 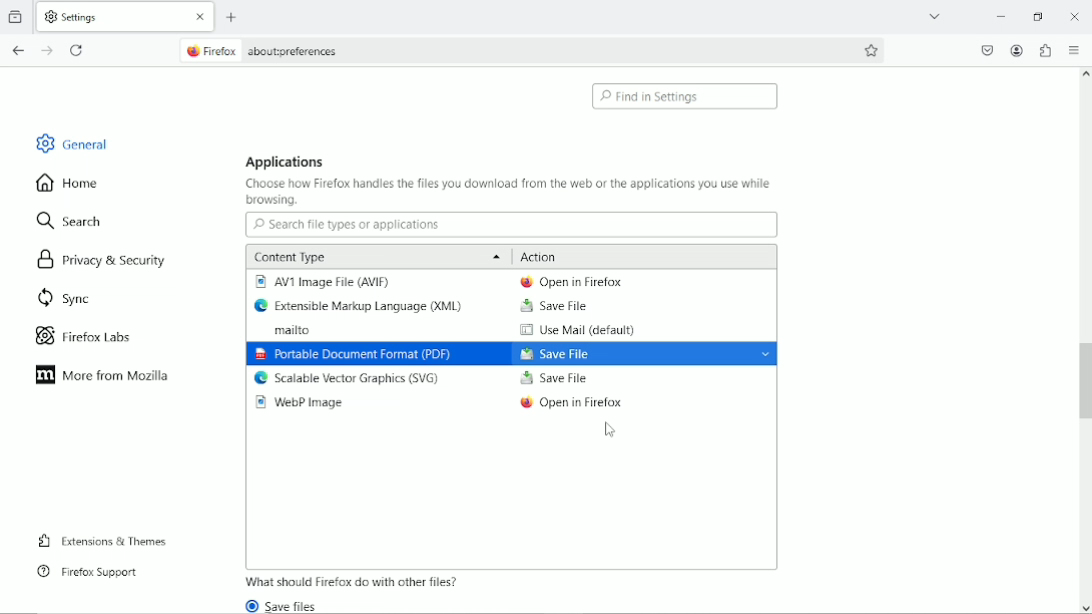 I want to click on save to pocket, so click(x=986, y=50).